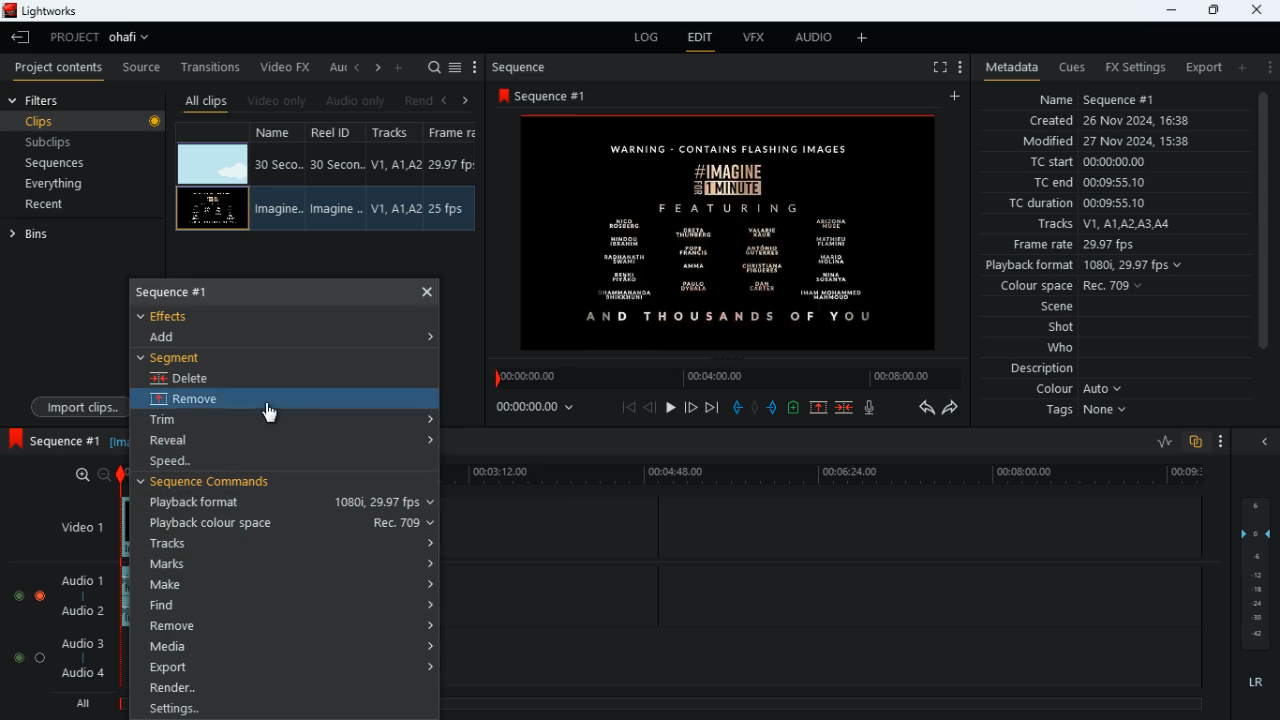 This screenshot has width=1280, height=720. What do you see at coordinates (187, 379) in the screenshot?
I see `delete` at bounding box center [187, 379].